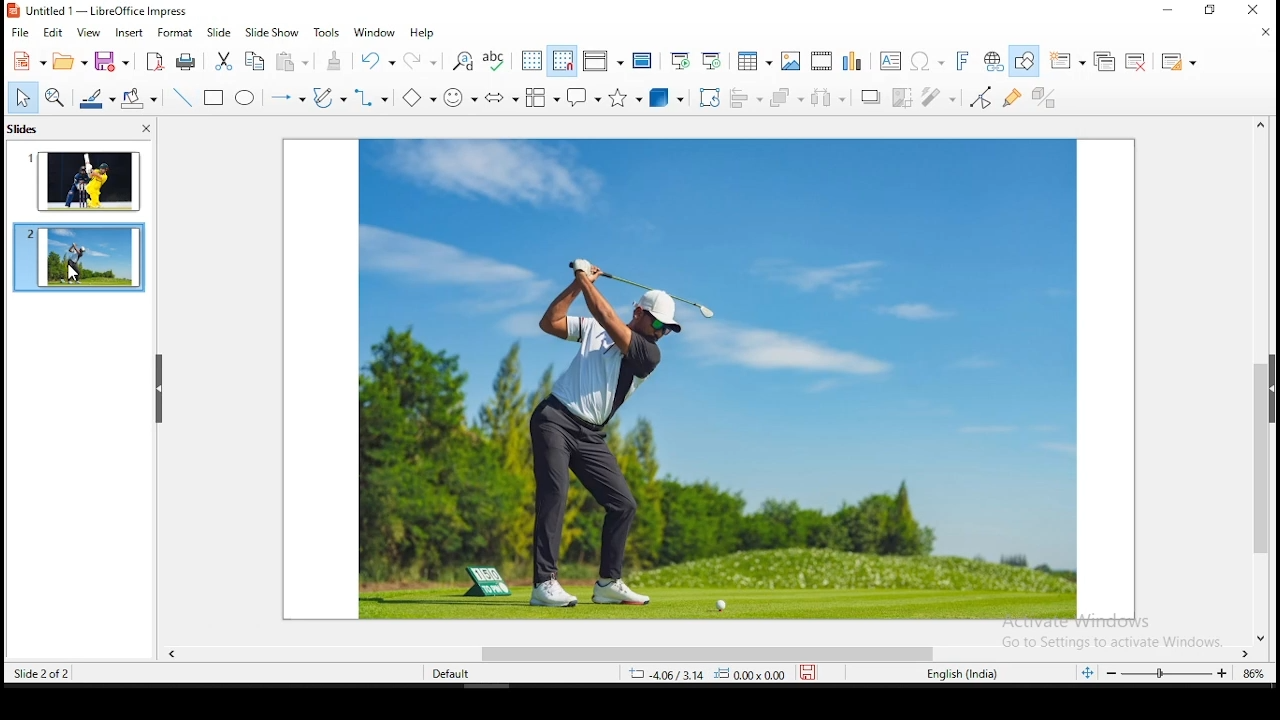  Describe the element at coordinates (888, 60) in the screenshot. I see `text box` at that location.